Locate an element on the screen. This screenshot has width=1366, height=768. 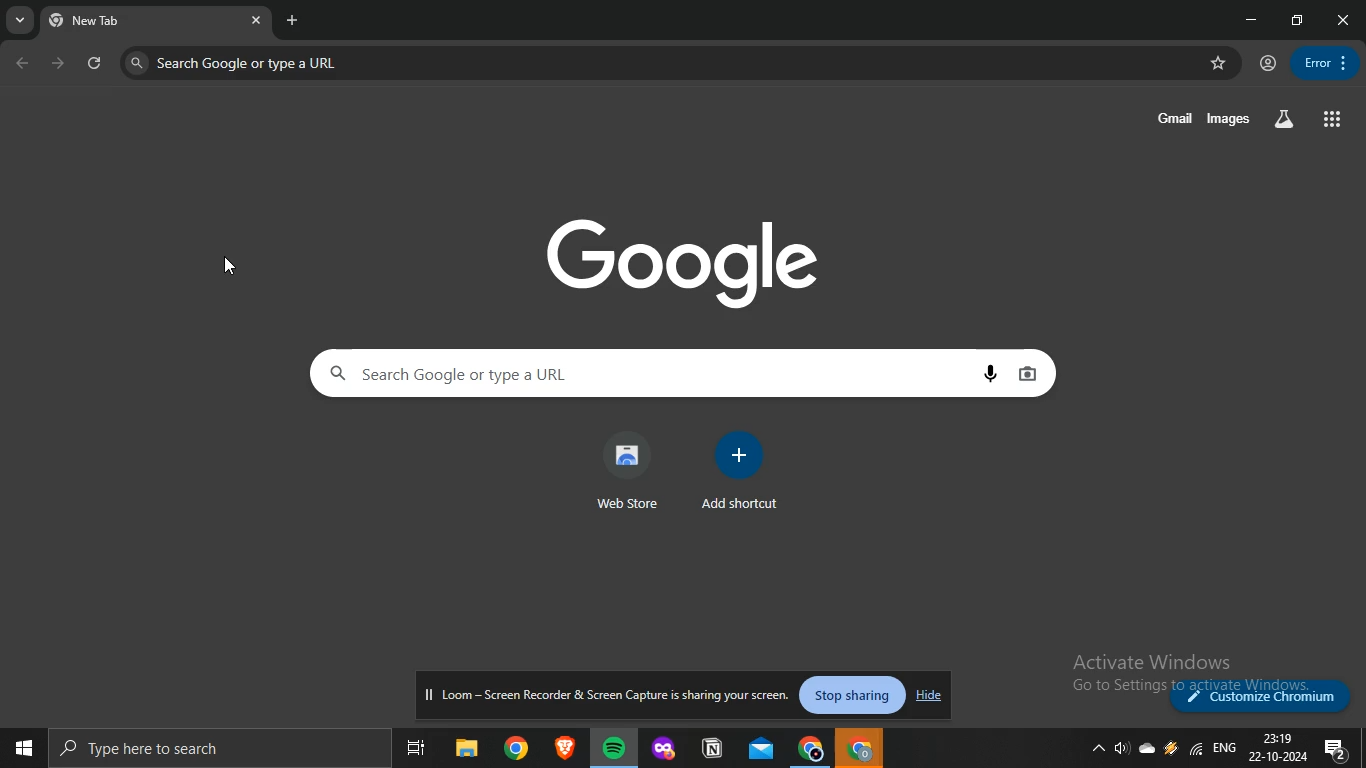
winamp is located at coordinates (1170, 748).